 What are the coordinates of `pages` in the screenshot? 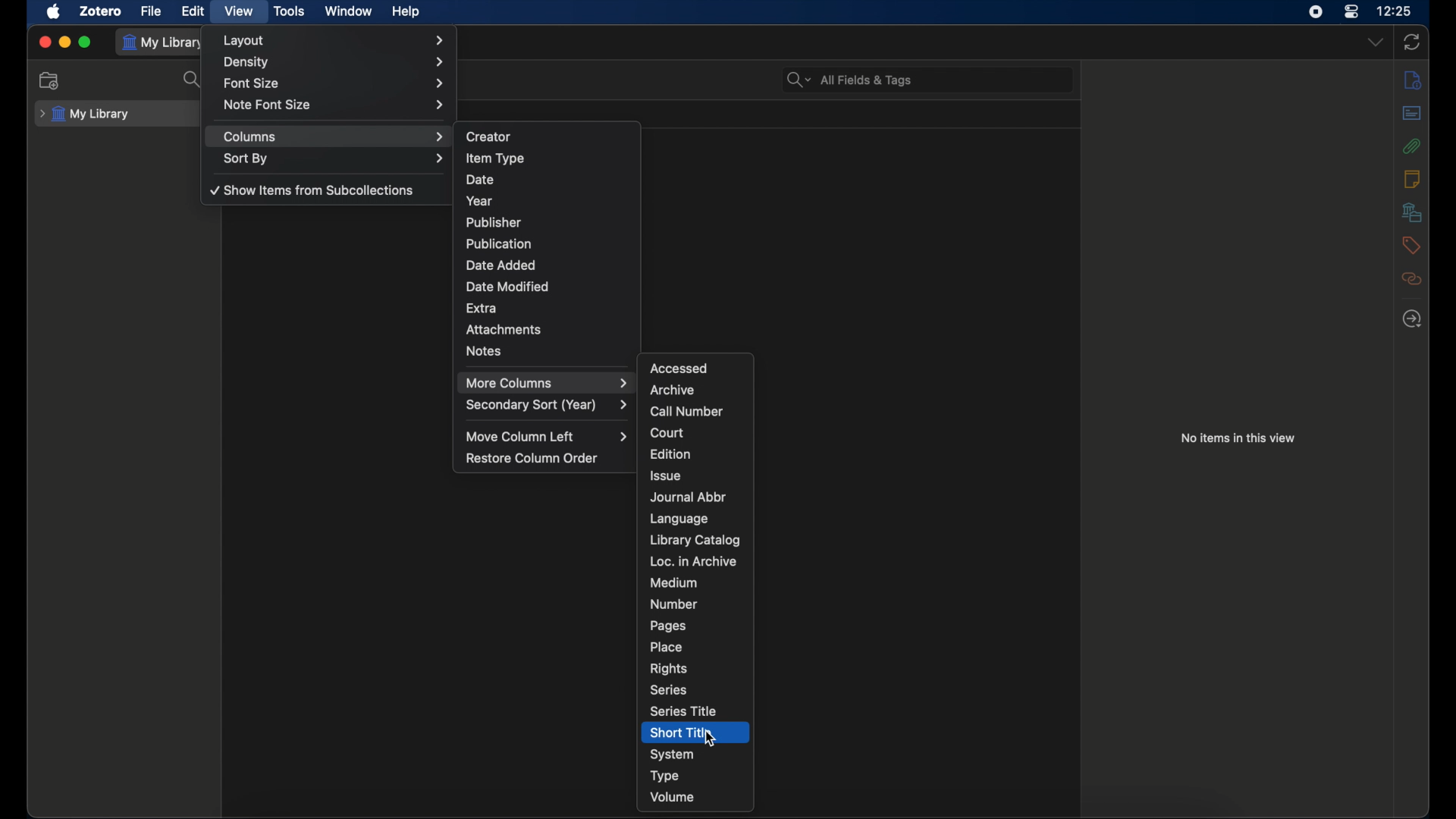 It's located at (667, 626).